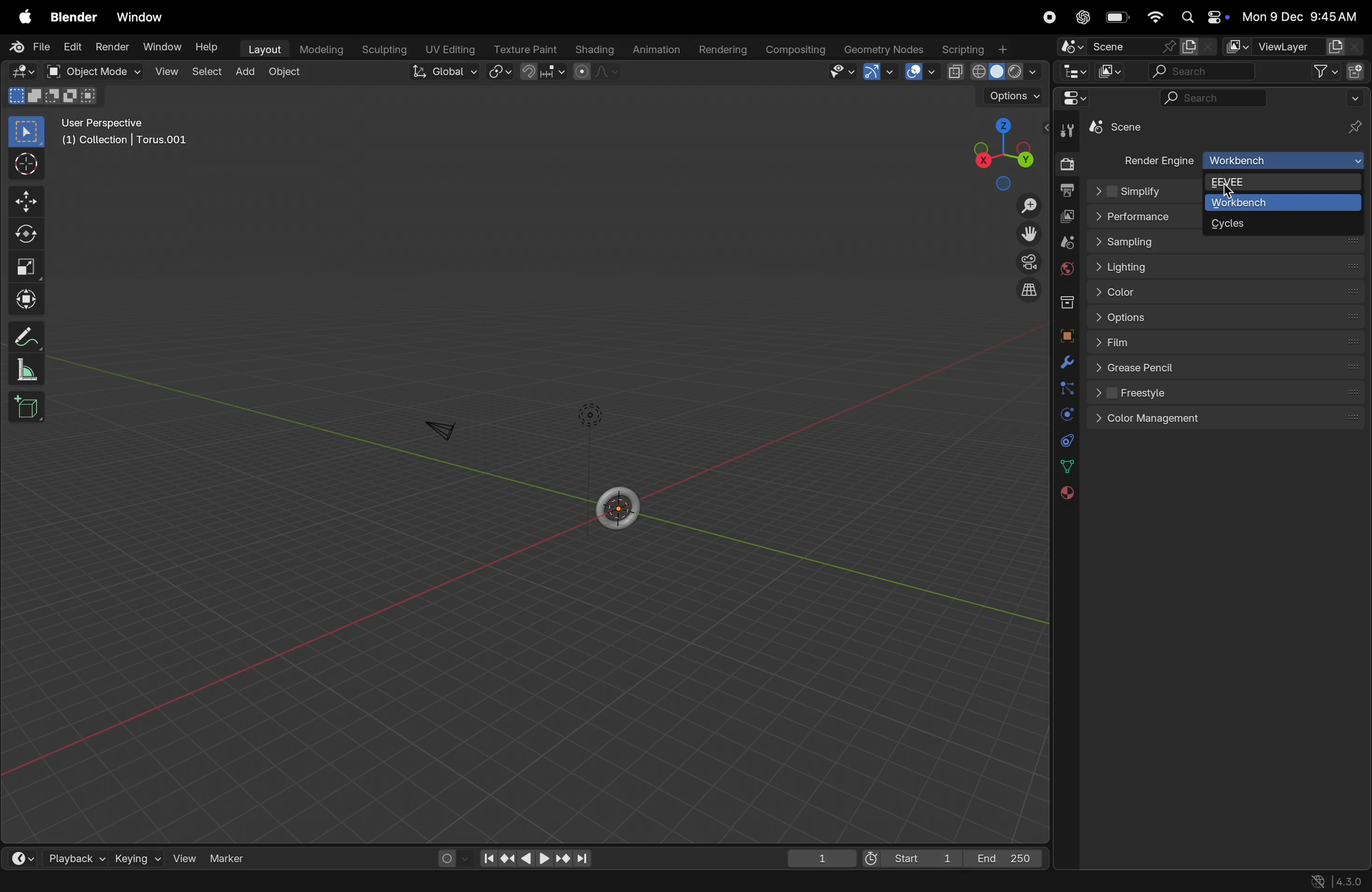  I want to click on select, so click(206, 73).